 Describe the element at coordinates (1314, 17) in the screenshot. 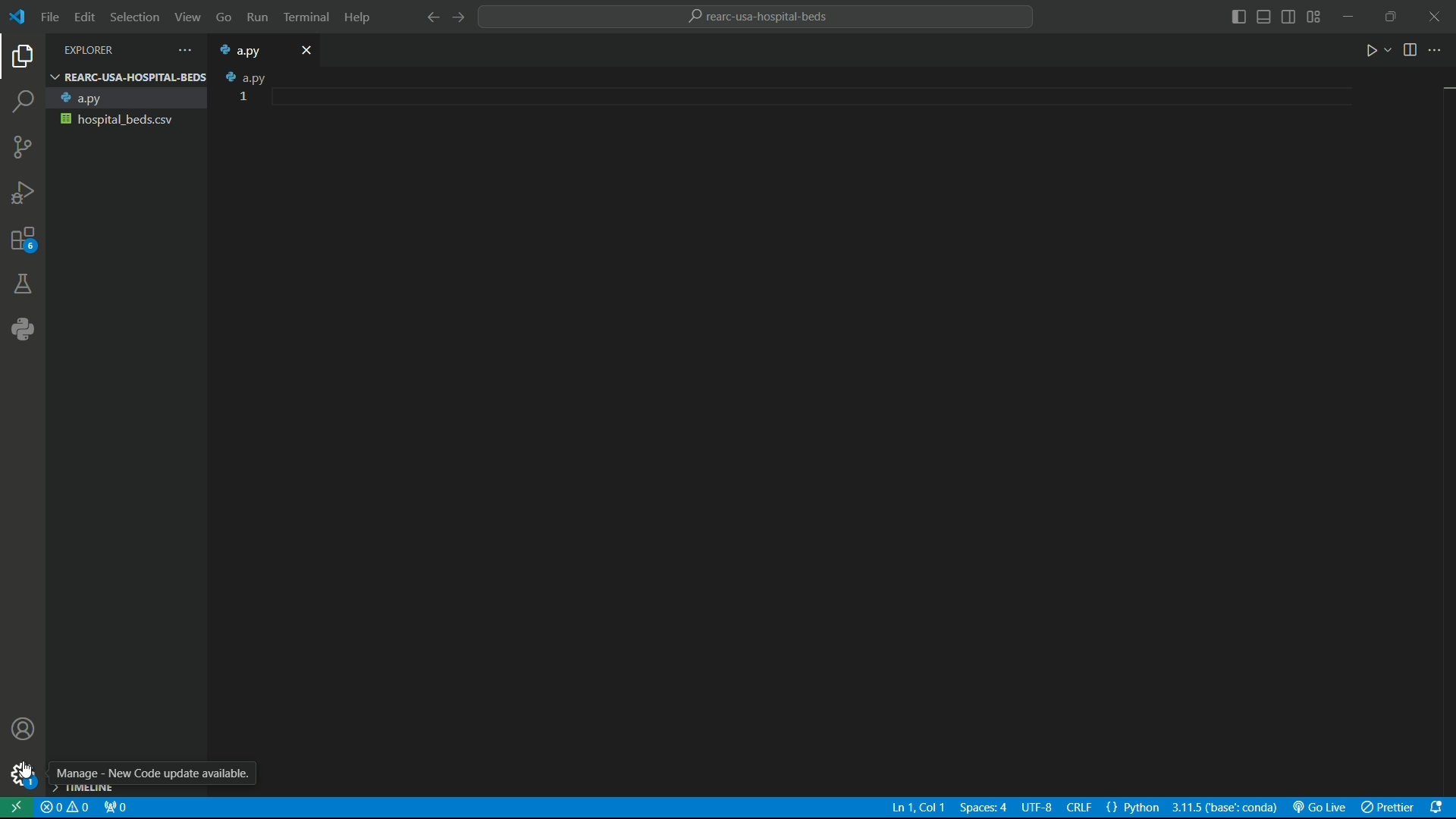

I see `change layout` at that location.